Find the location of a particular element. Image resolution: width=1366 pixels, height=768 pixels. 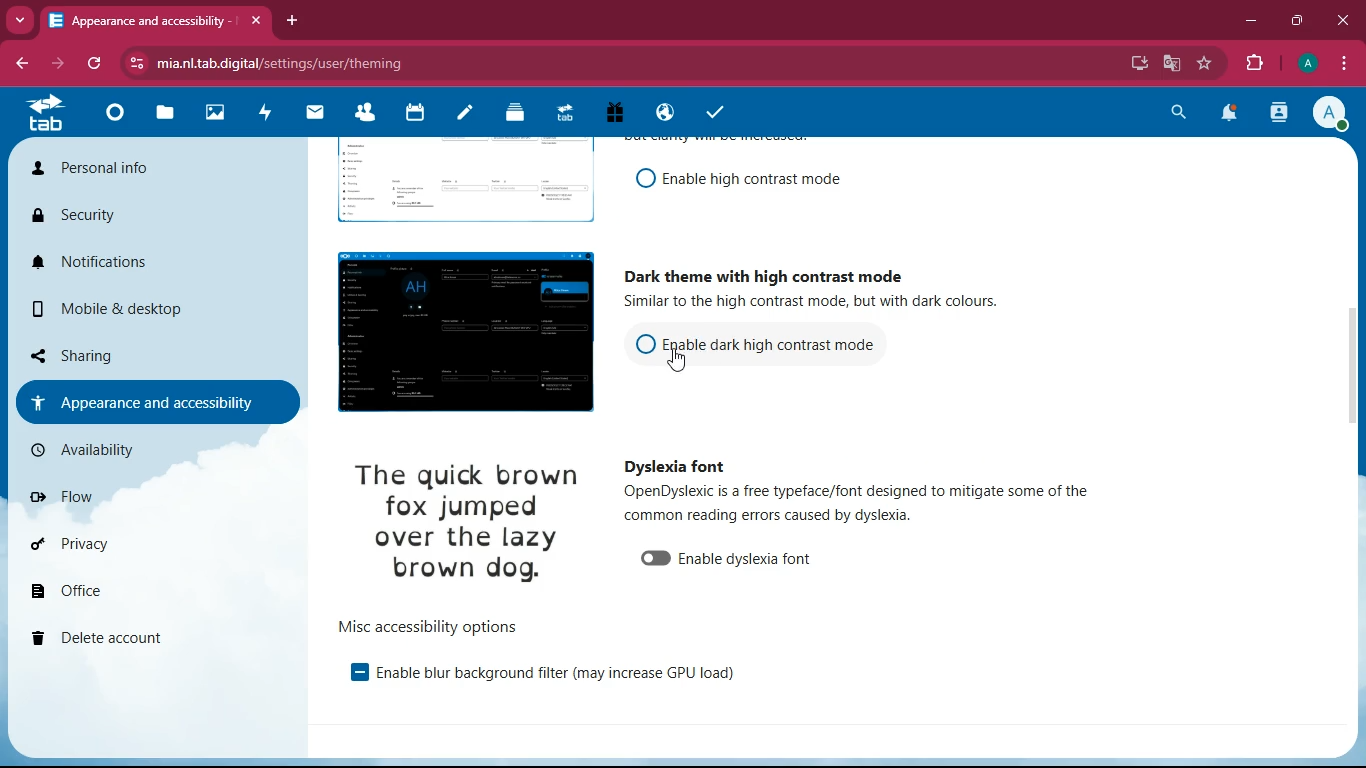

appearance is located at coordinates (156, 401).